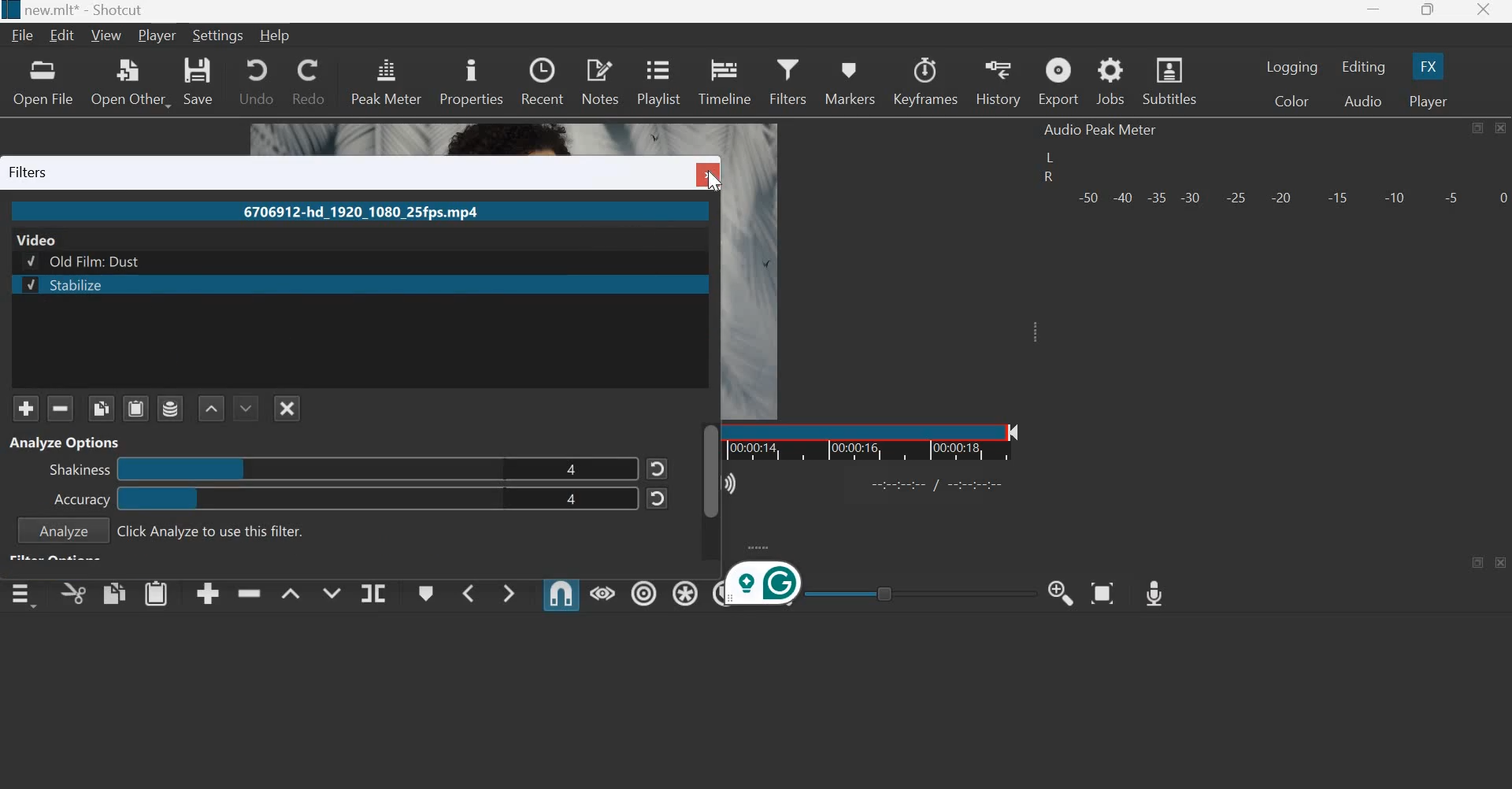 The height and width of the screenshot is (789, 1512). Describe the element at coordinates (106, 37) in the screenshot. I see `View` at that location.